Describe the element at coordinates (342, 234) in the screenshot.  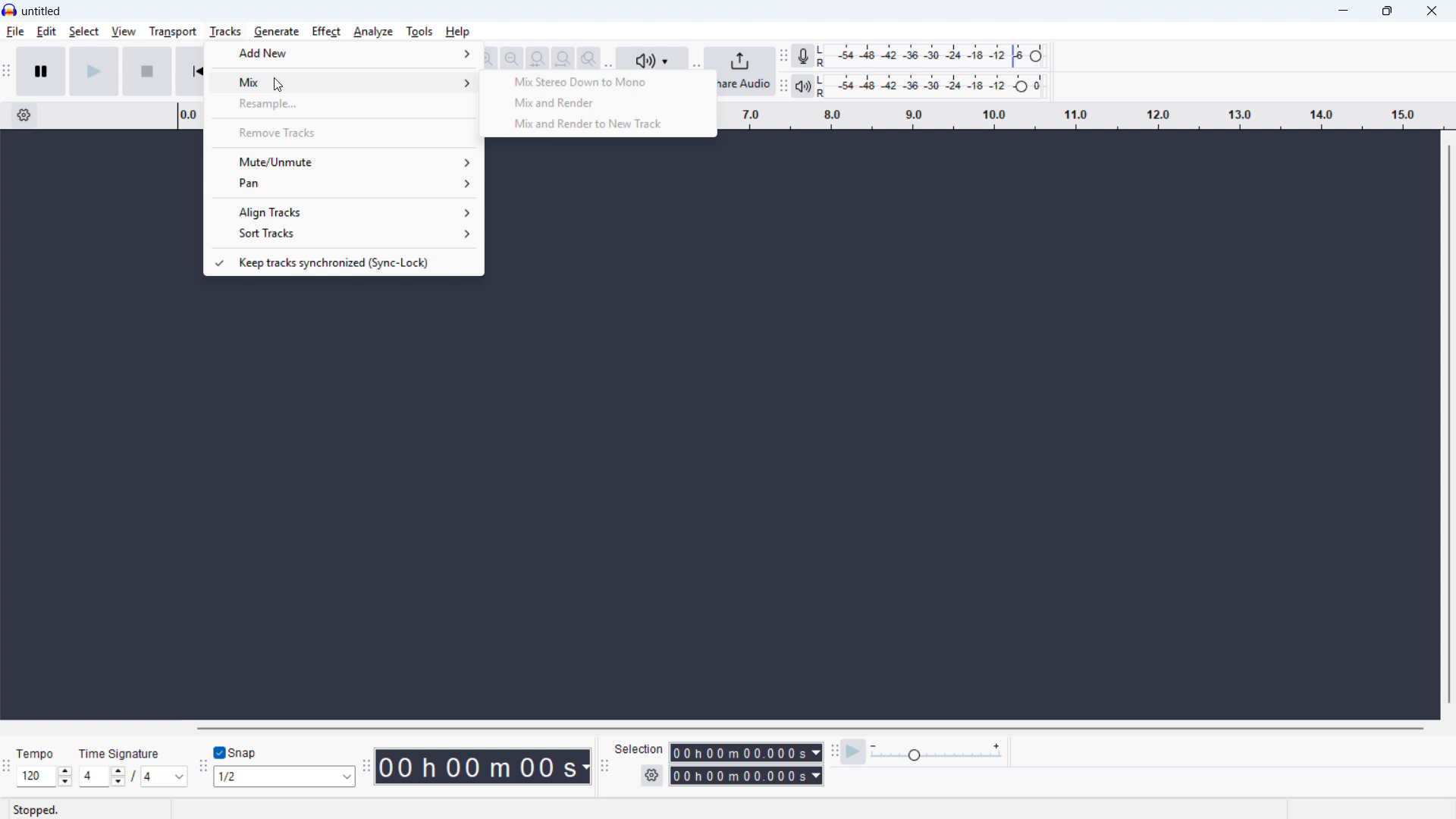
I see `Sort tracks ` at that location.